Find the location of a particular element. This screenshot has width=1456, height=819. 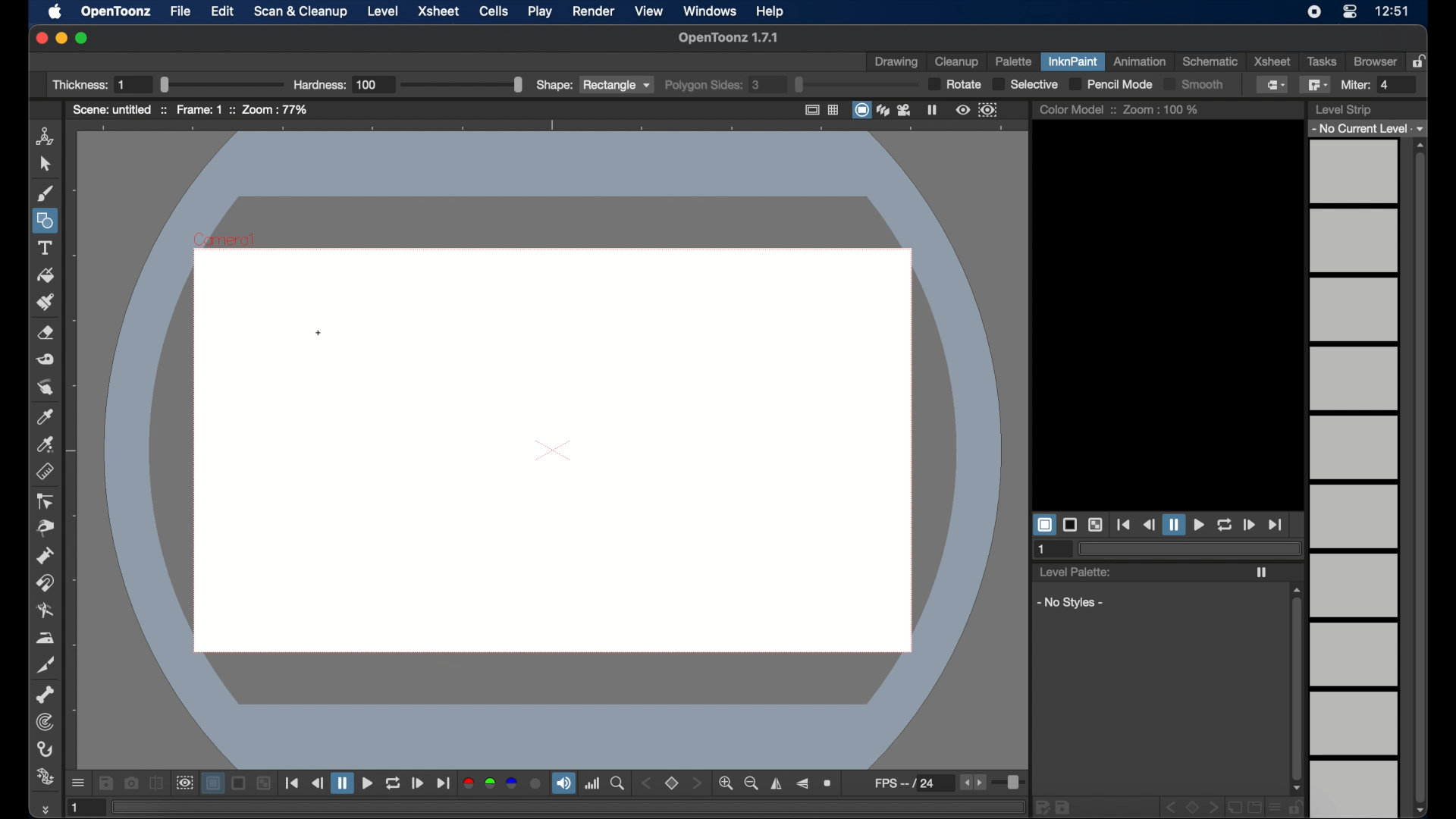

white background is located at coordinates (1043, 525).